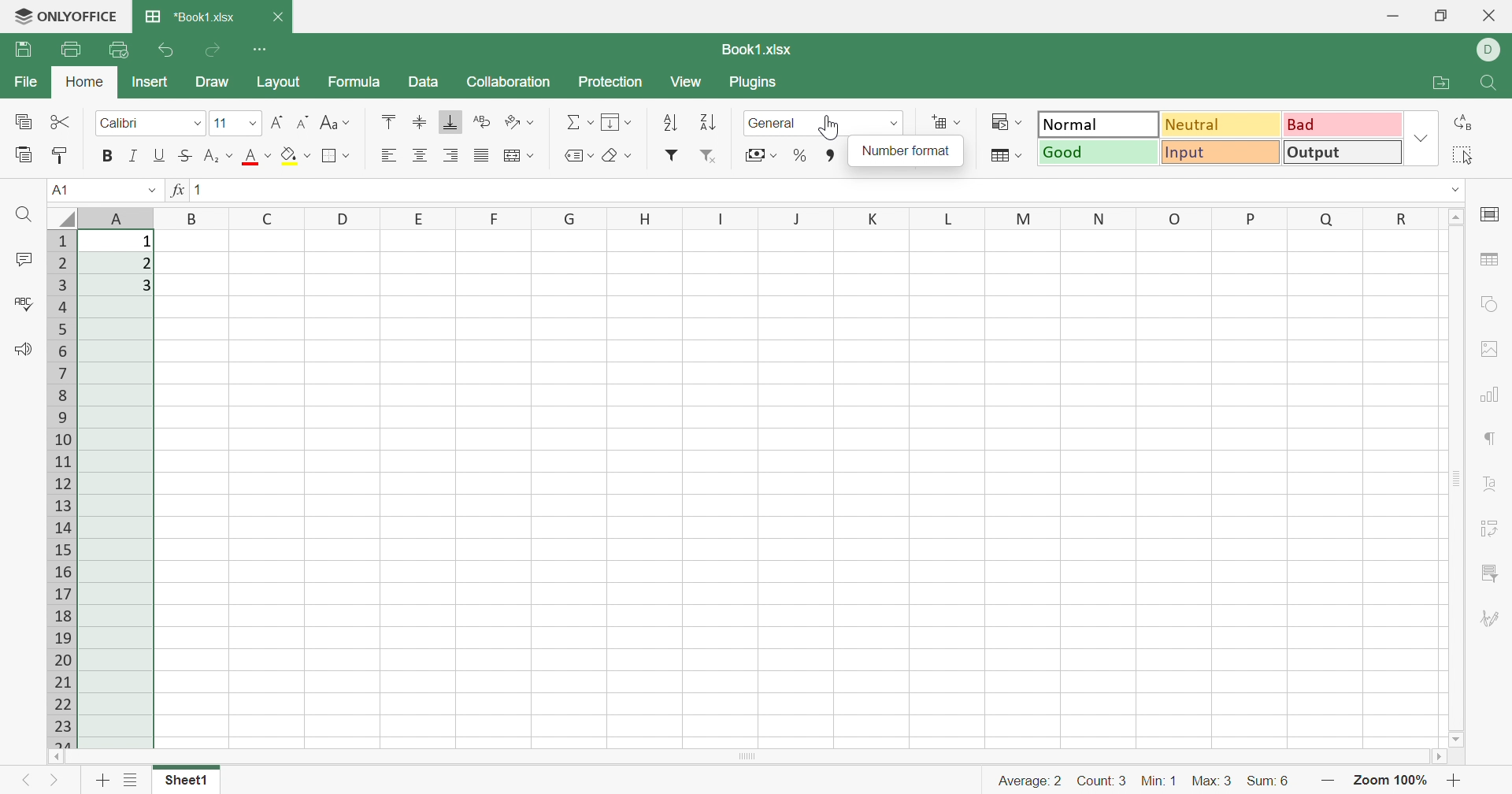  What do you see at coordinates (760, 157) in the screenshot?
I see `Accounting style` at bounding box center [760, 157].